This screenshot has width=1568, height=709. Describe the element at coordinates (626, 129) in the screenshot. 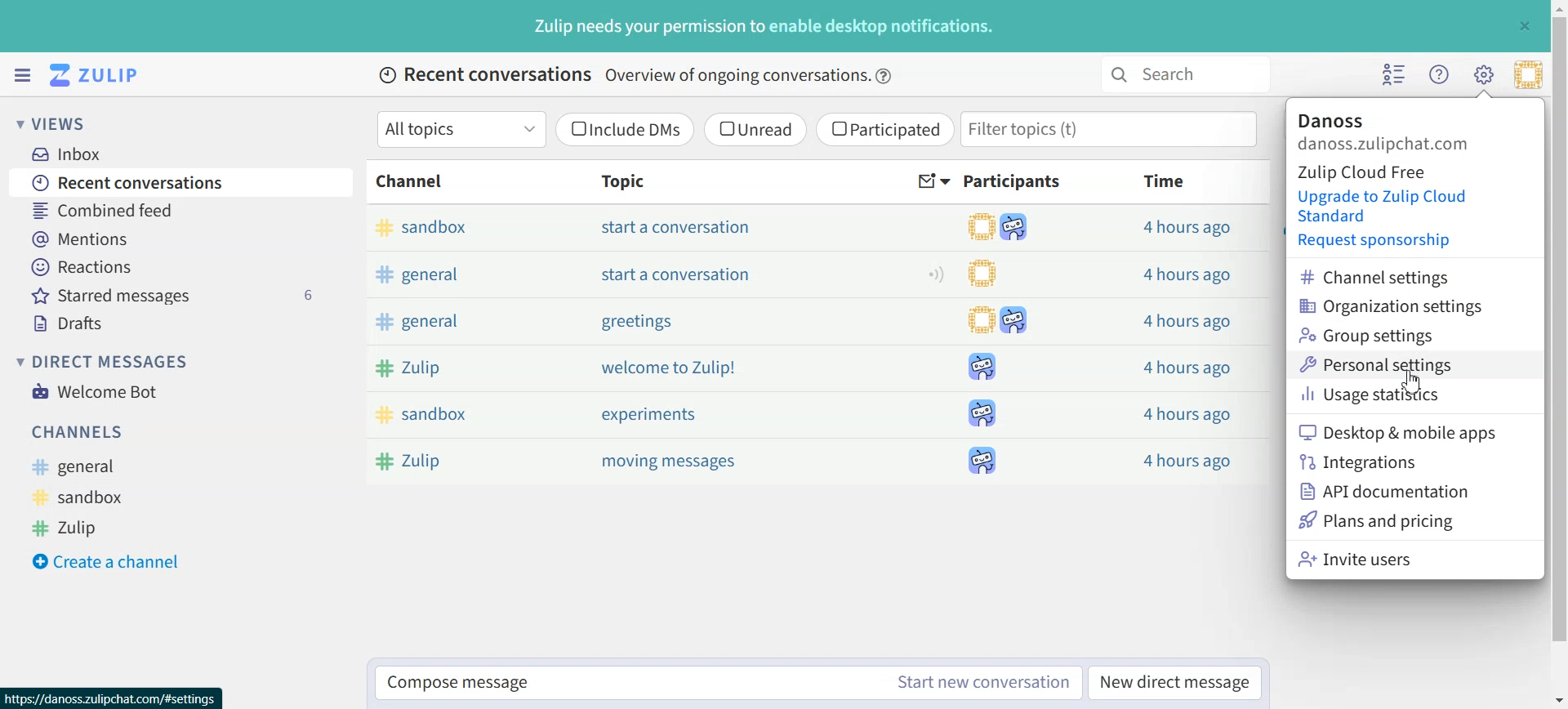

I see `Include DMs` at that location.